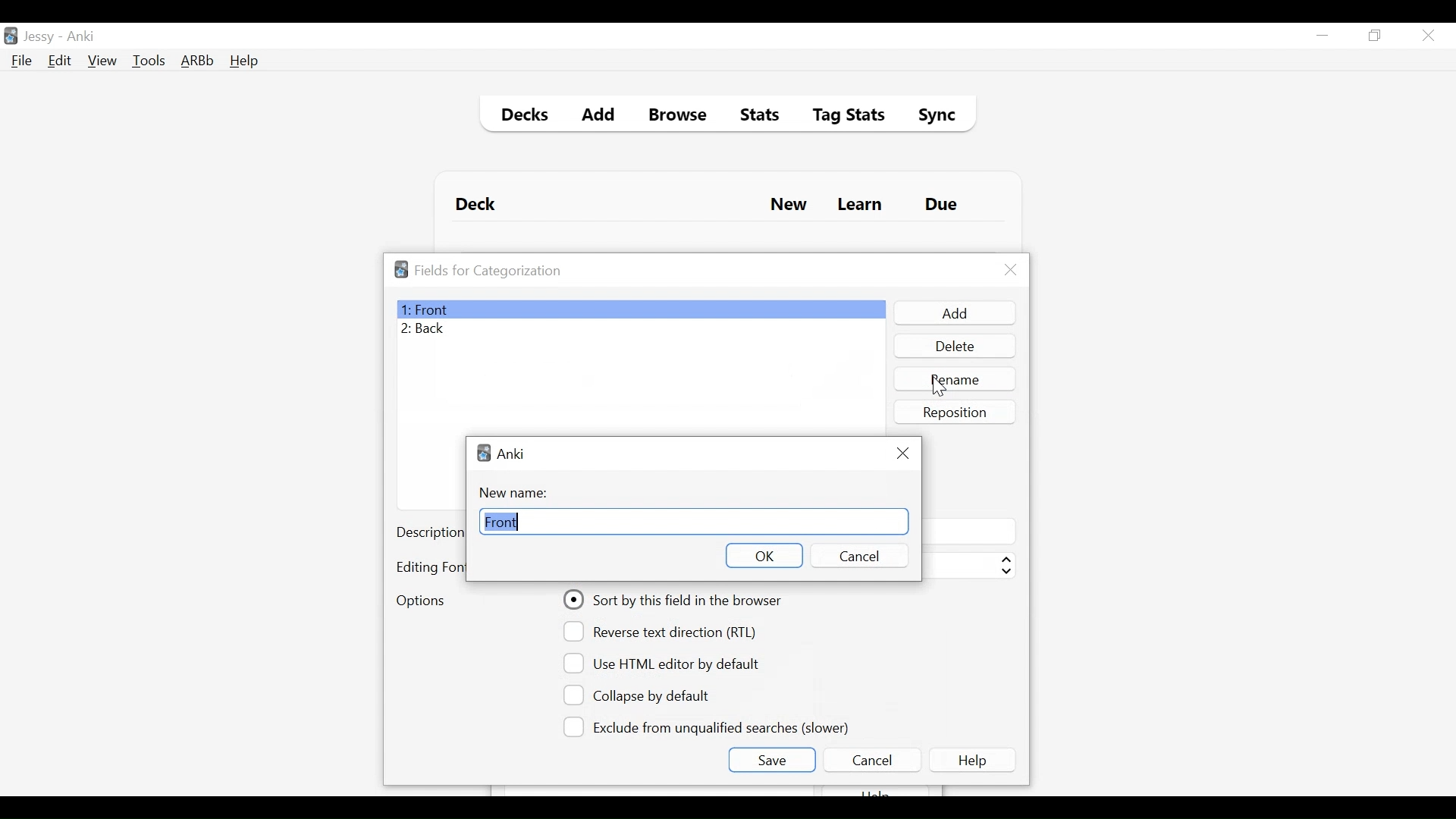 The width and height of the screenshot is (1456, 819). I want to click on Learn, so click(859, 206).